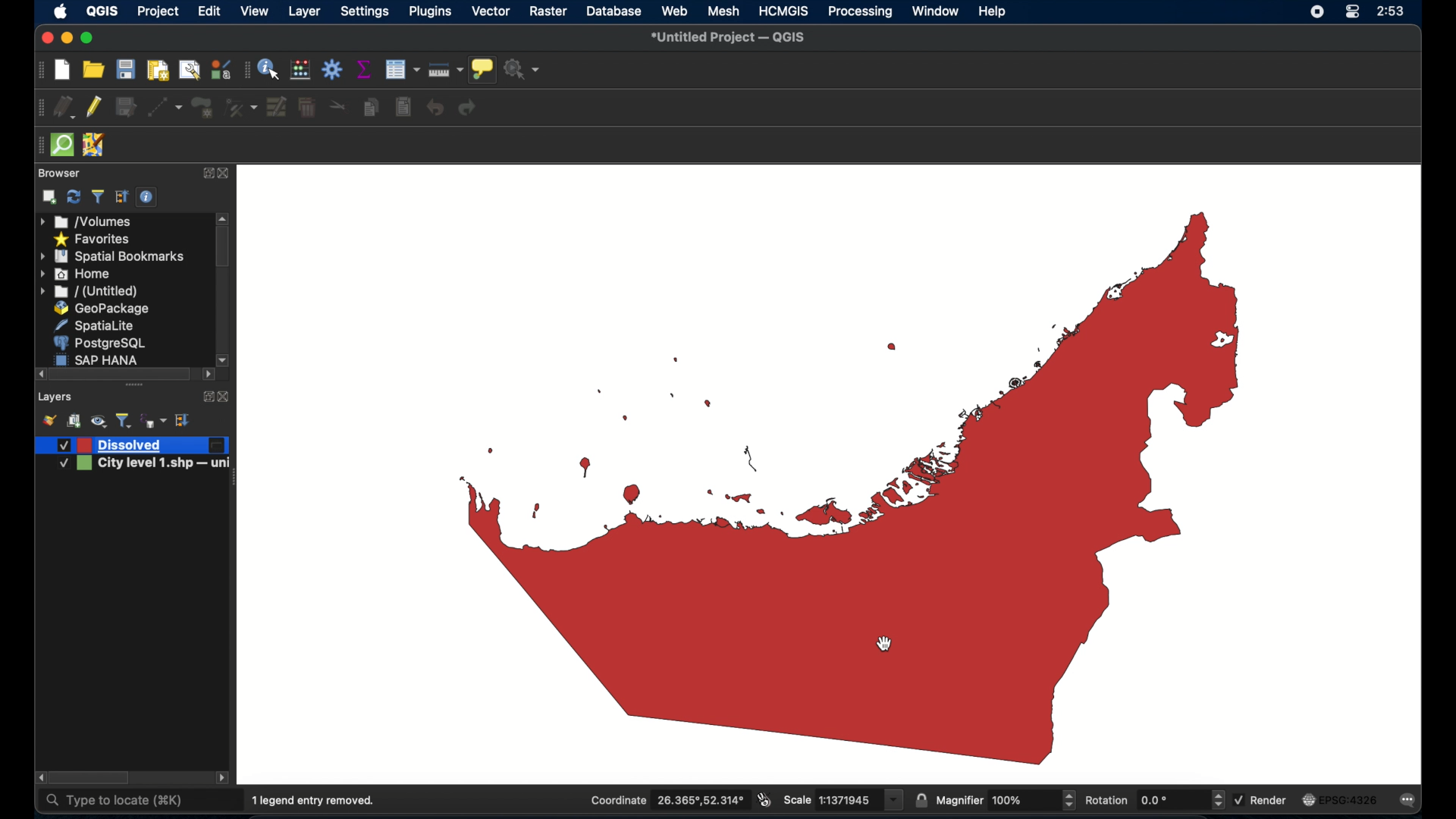 The height and width of the screenshot is (819, 1456). I want to click on screen recorder icon, so click(1316, 13).